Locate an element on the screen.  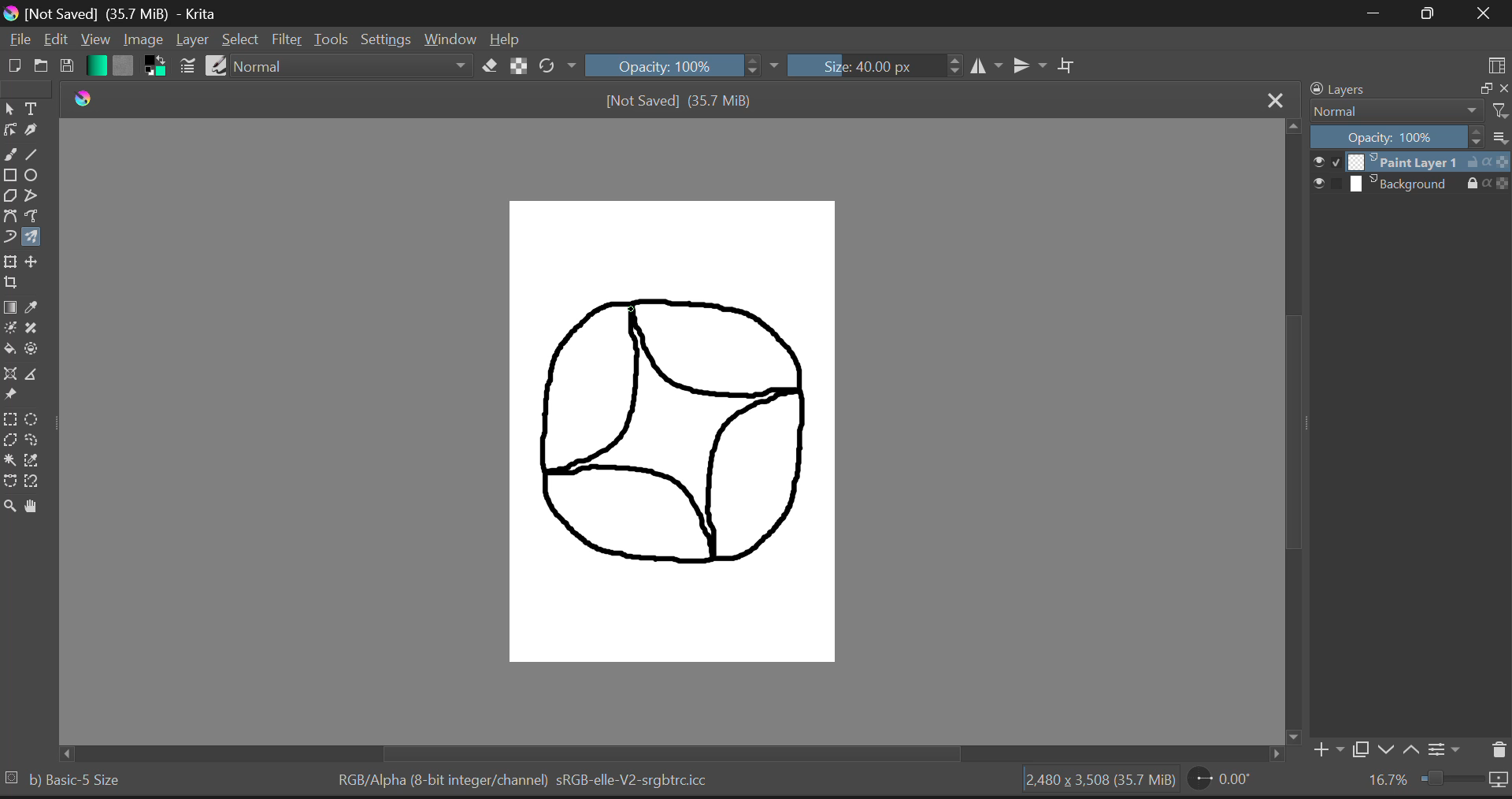
Delete Layers is located at coordinates (1497, 748).